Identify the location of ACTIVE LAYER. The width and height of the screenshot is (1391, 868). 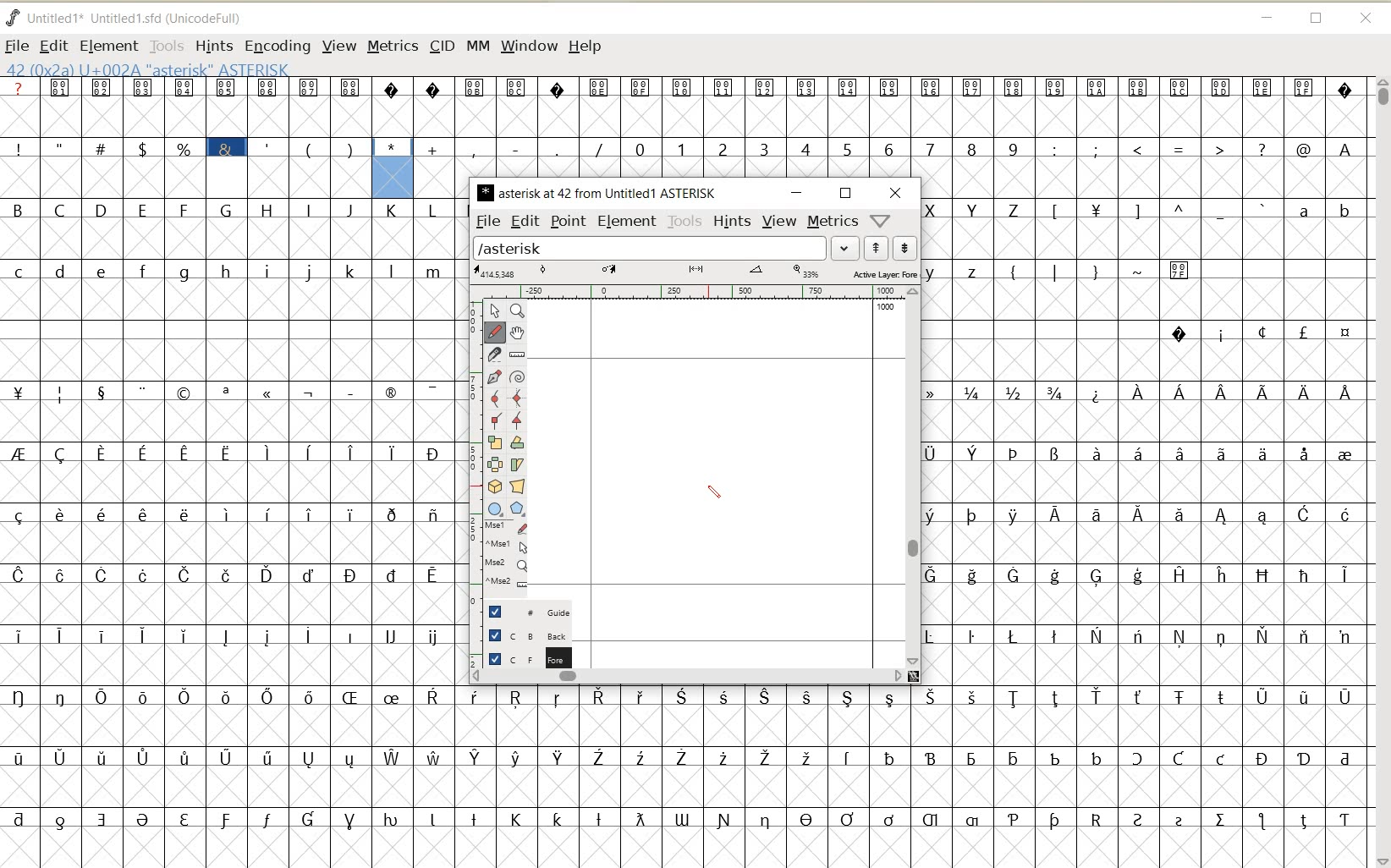
(695, 272).